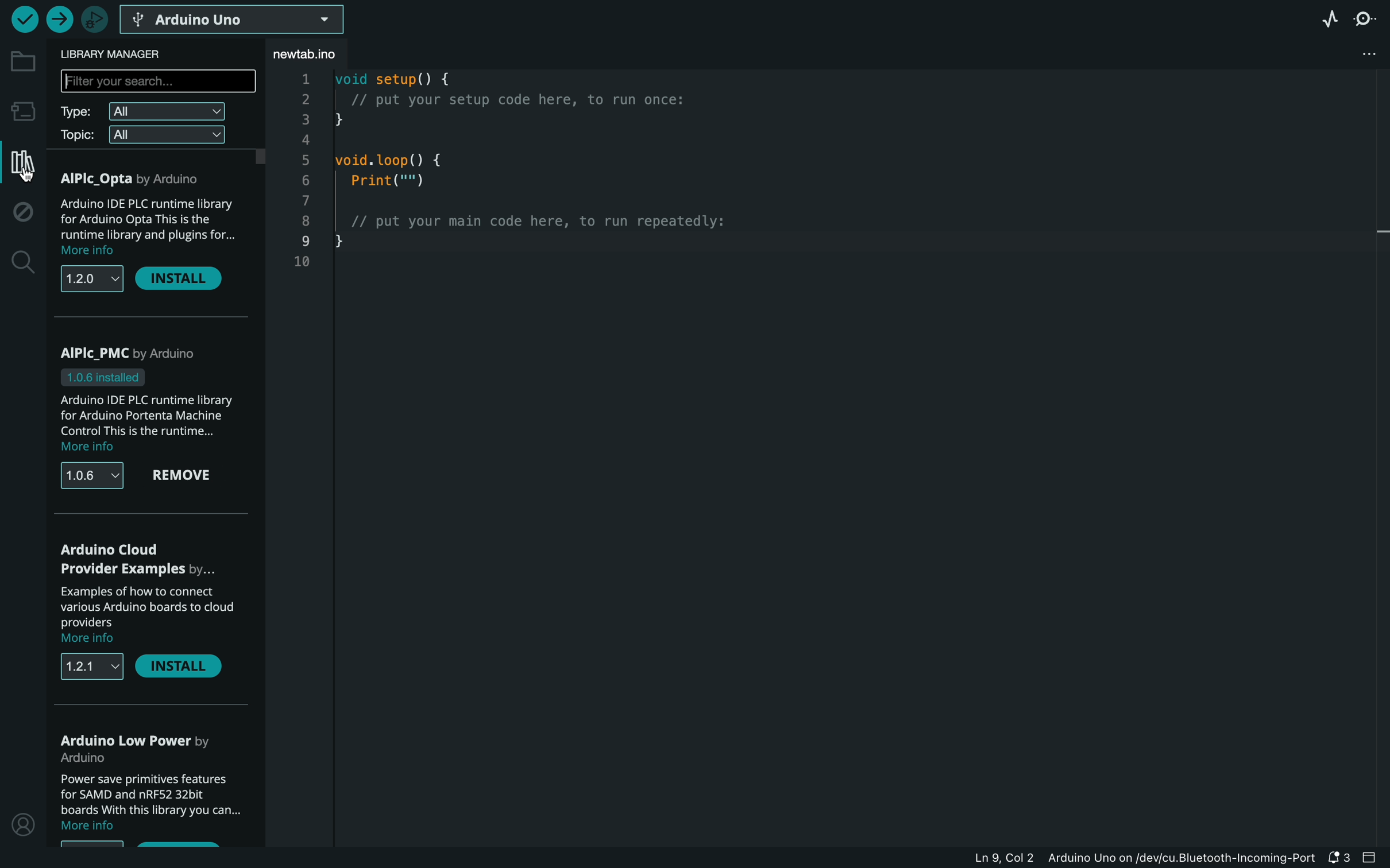 The height and width of the screenshot is (868, 1390). What do you see at coordinates (22, 822) in the screenshot?
I see `profile` at bounding box center [22, 822].